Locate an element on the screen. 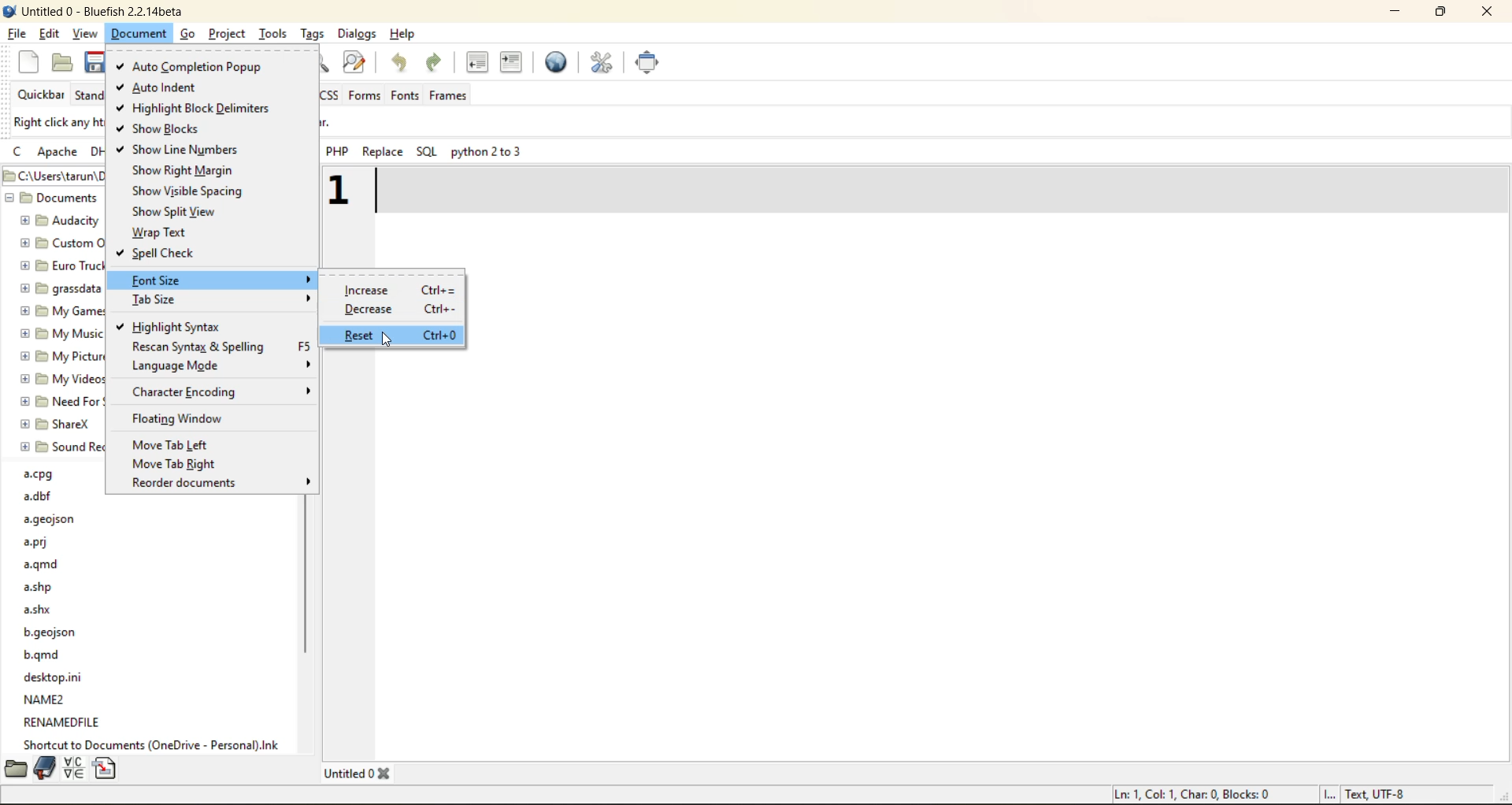  Documents is located at coordinates (57, 198).